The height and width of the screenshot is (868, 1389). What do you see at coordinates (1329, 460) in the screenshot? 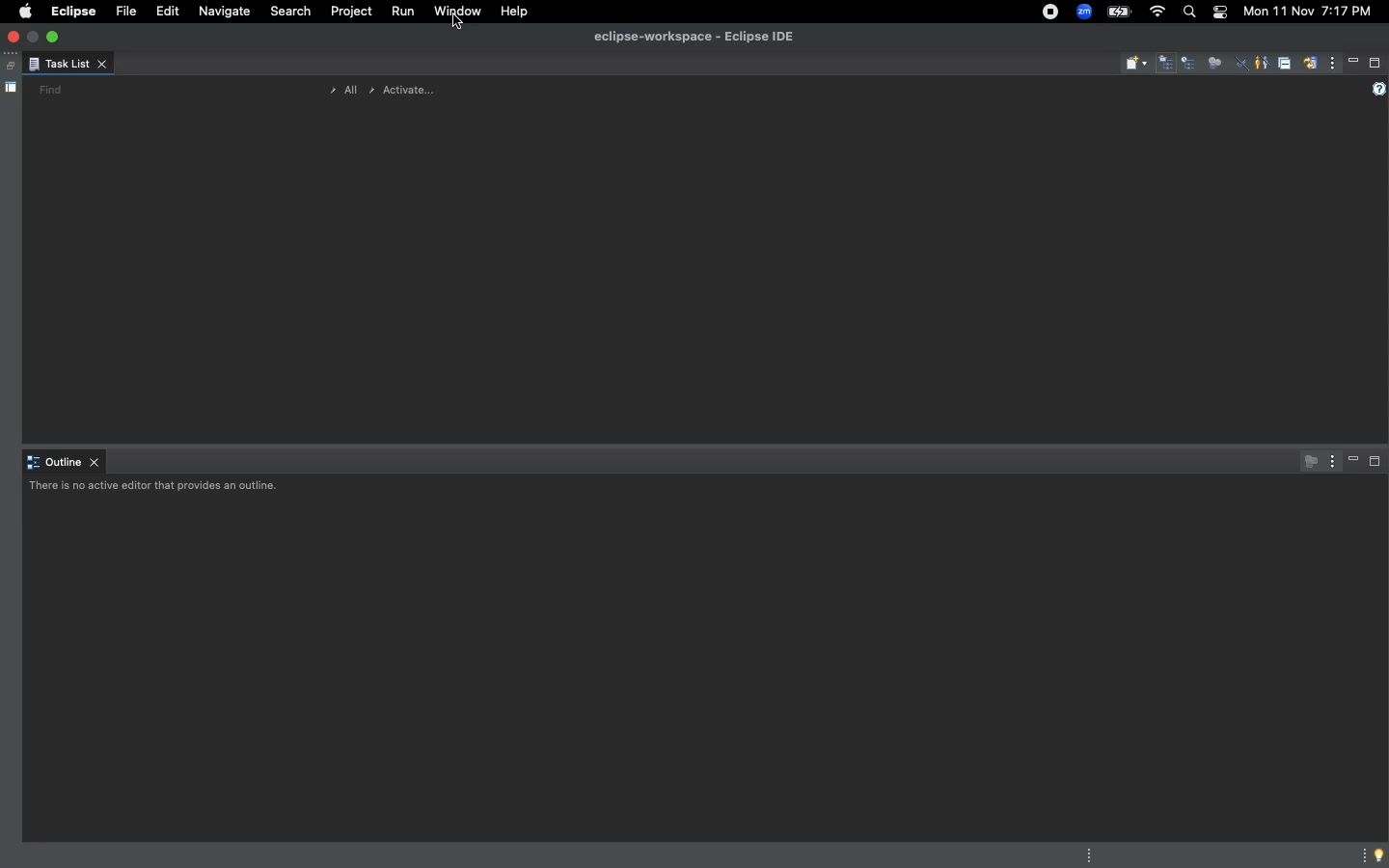
I see `View menu` at bounding box center [1329, 460].